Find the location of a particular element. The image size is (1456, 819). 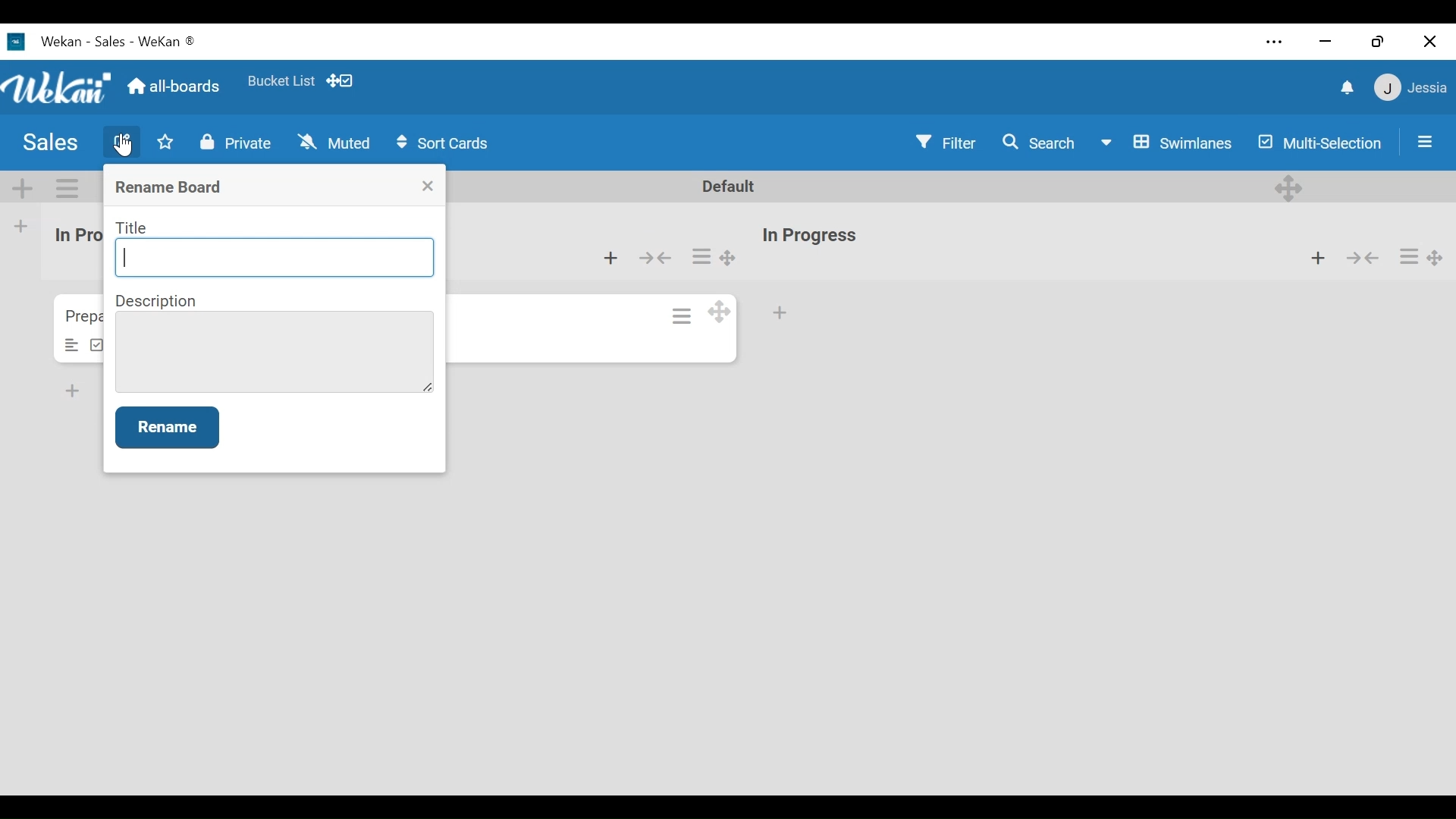

minimize is located at coordinates (1326, 40).